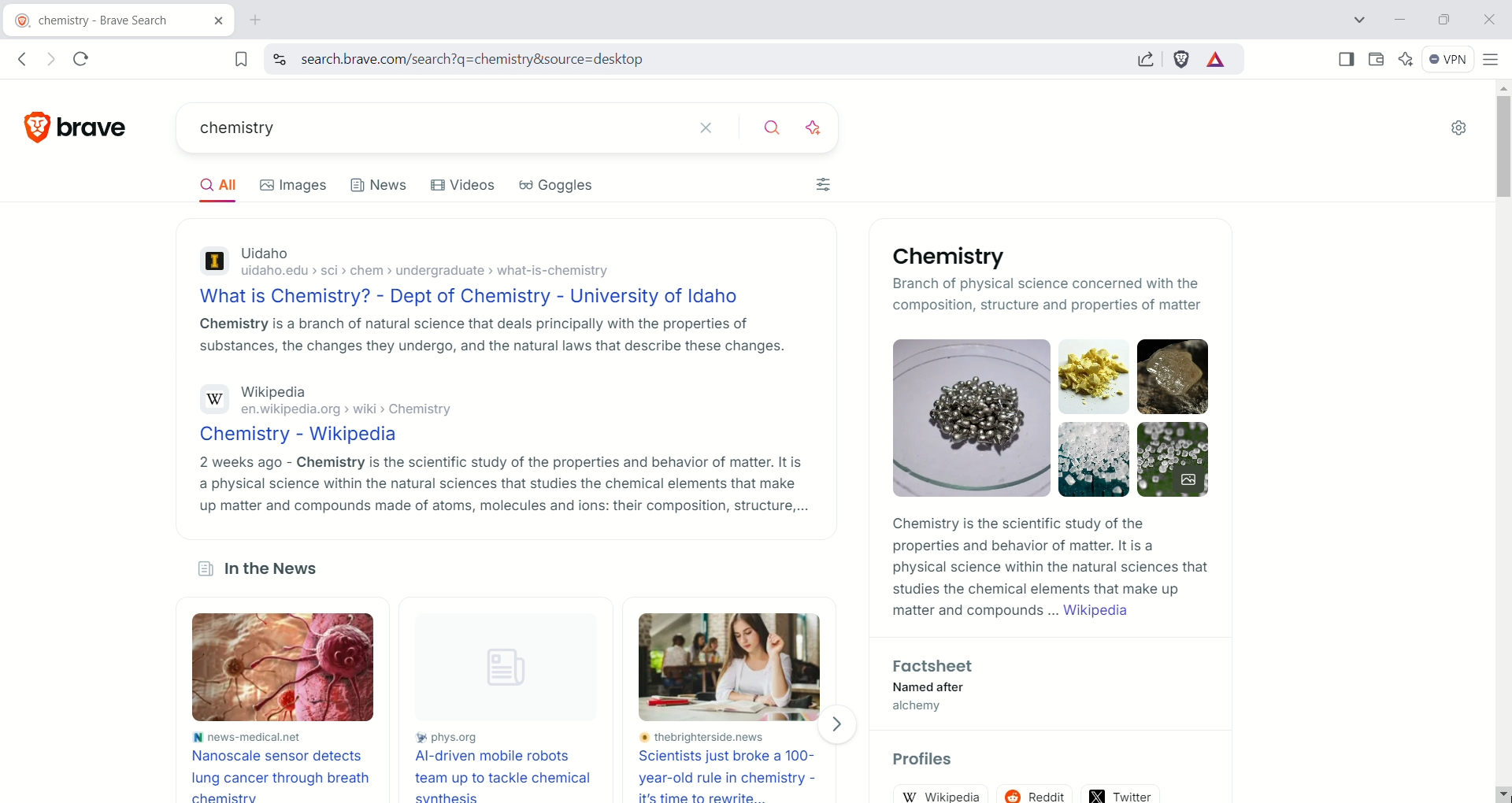 The image size is (1512, 803). What do you see at coordinates (256, 572) in the screenshot?
I see `In the News` at bounding box center [256, 572].